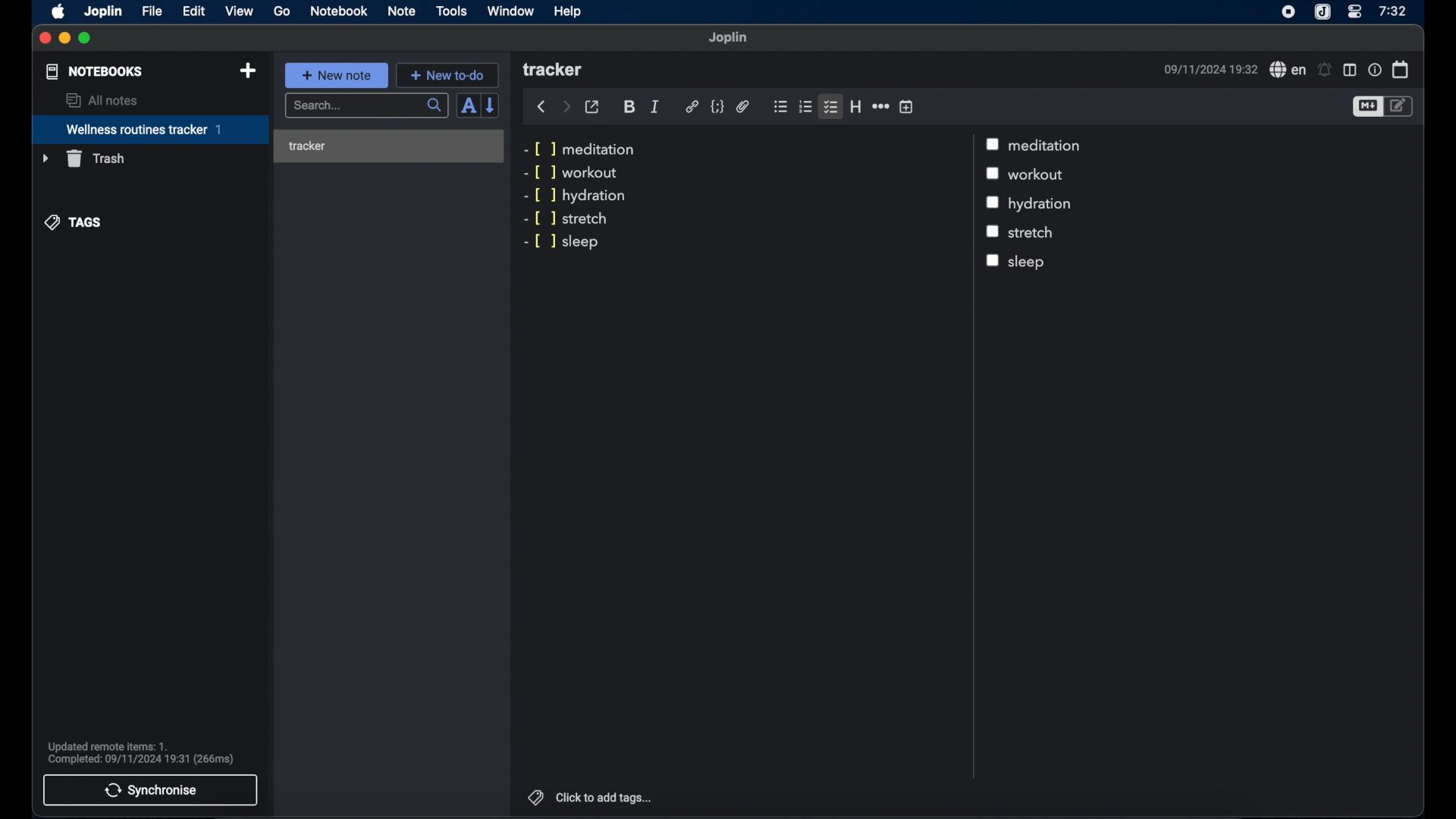 The image size is (1456, 819). I want to click on wellness routines tracker 1, so click(149, 130).